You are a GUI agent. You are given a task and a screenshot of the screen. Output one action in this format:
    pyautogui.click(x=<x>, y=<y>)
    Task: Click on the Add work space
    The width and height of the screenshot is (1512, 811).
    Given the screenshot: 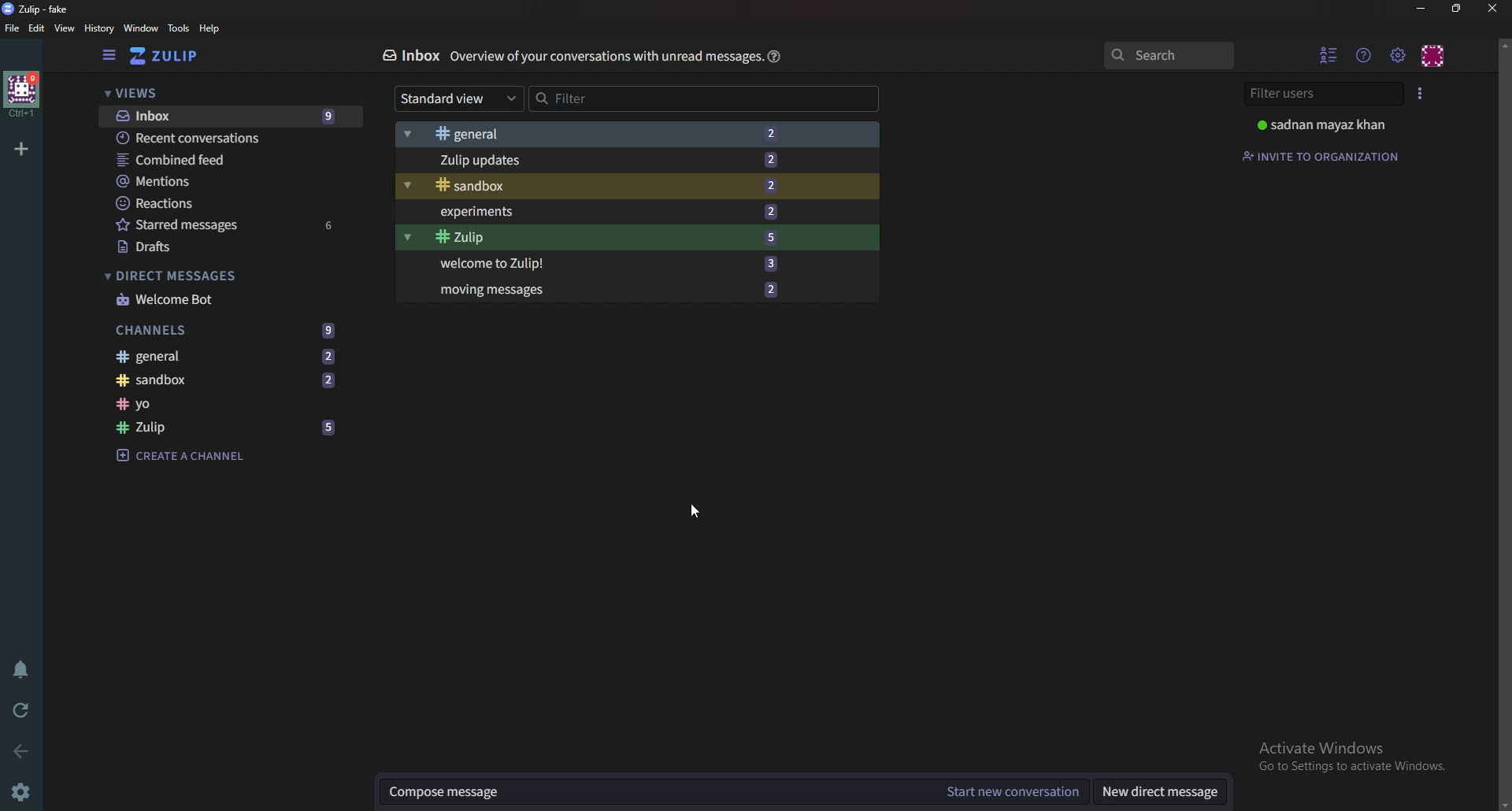 What is the action you would take?
    pyautogui.click(x=23, y=148)
    